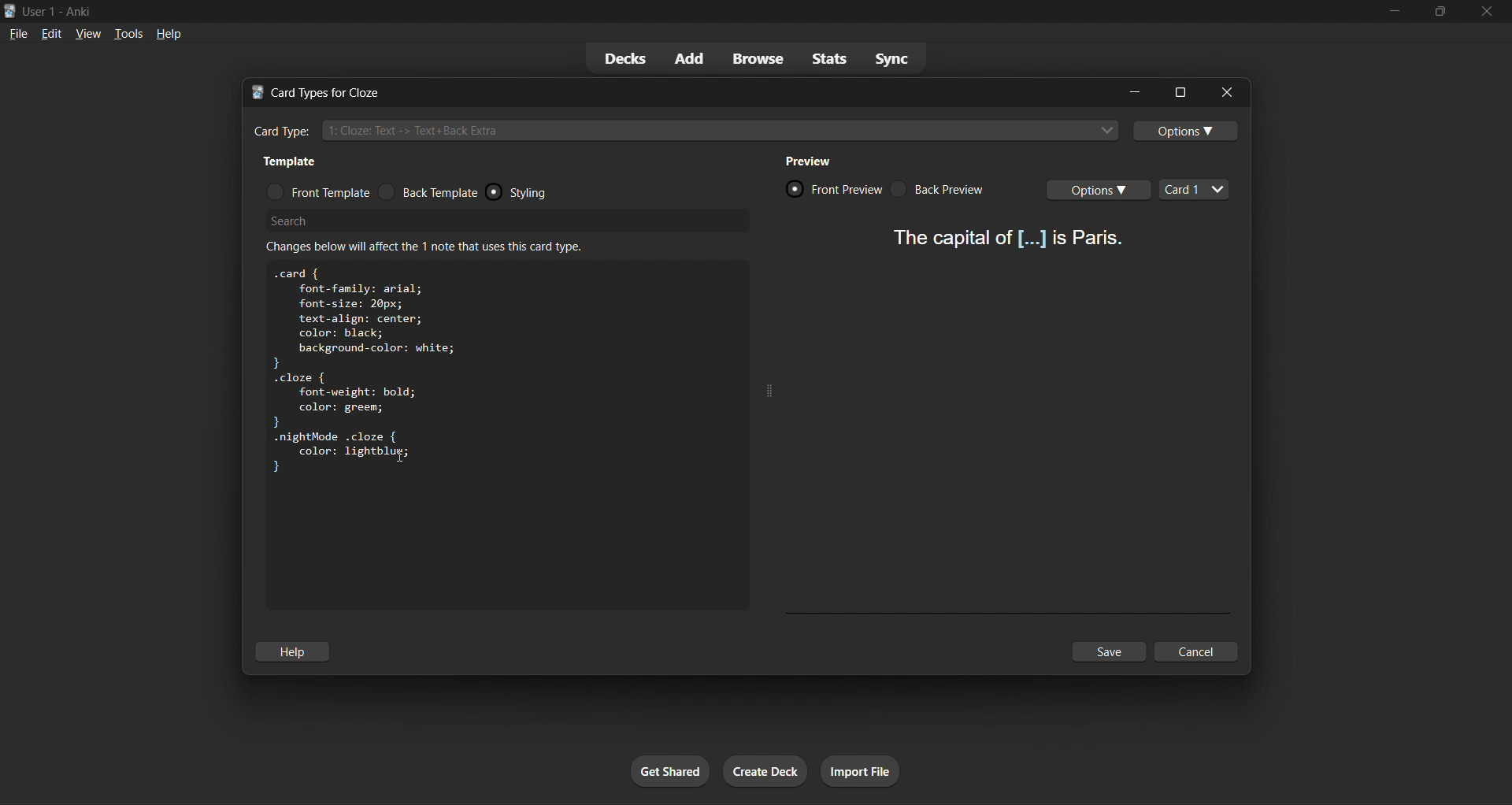 The width and height of the screenshot is (1512, 805). What do you see at coordinates (51, 33) in the screenshot?
I see `edit` at bounding box center [51, 33].